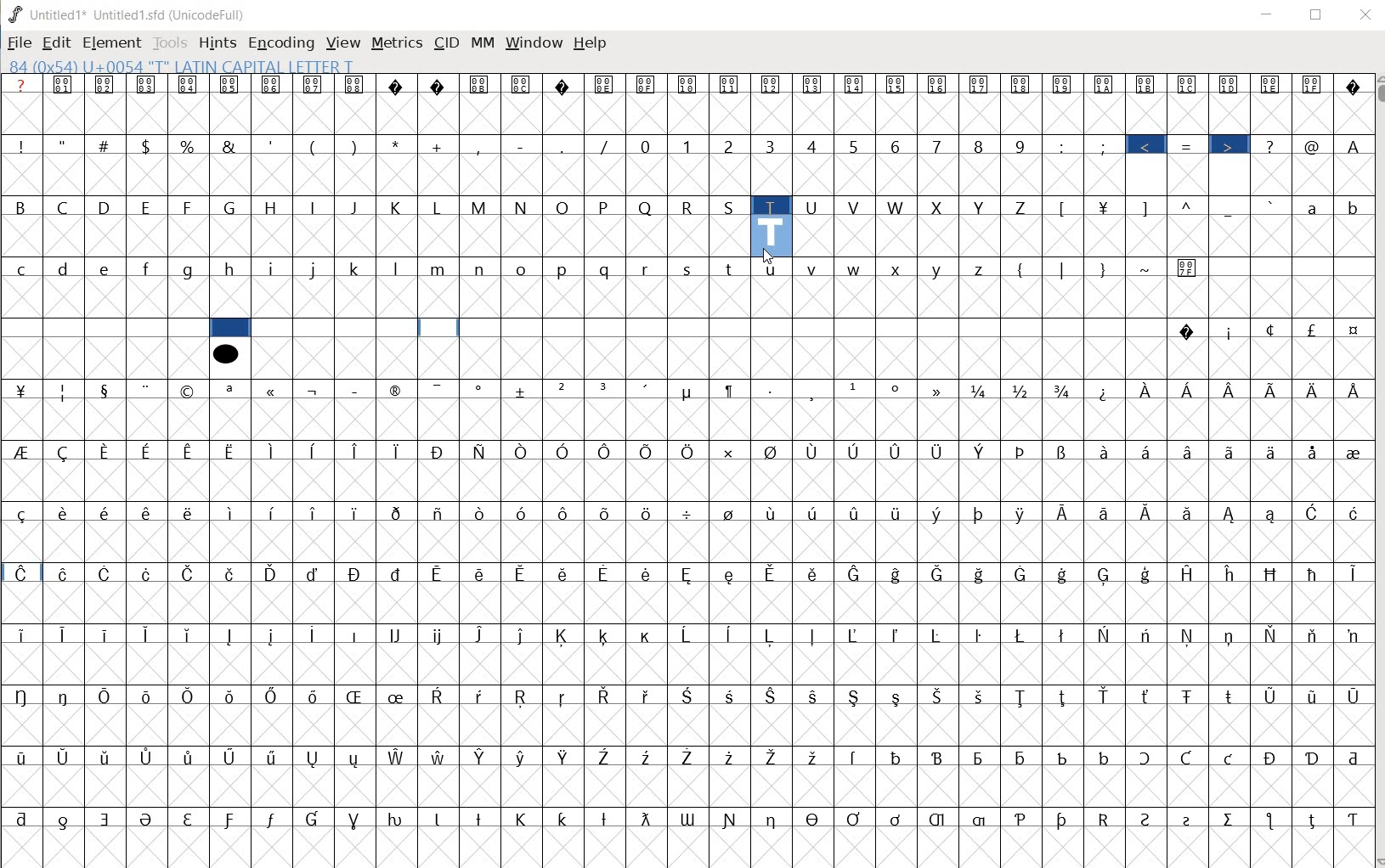  What do you see at coordinates (1190, 392) in the screenshot?
I see `Symbol` at bounding box center [1190, 392].